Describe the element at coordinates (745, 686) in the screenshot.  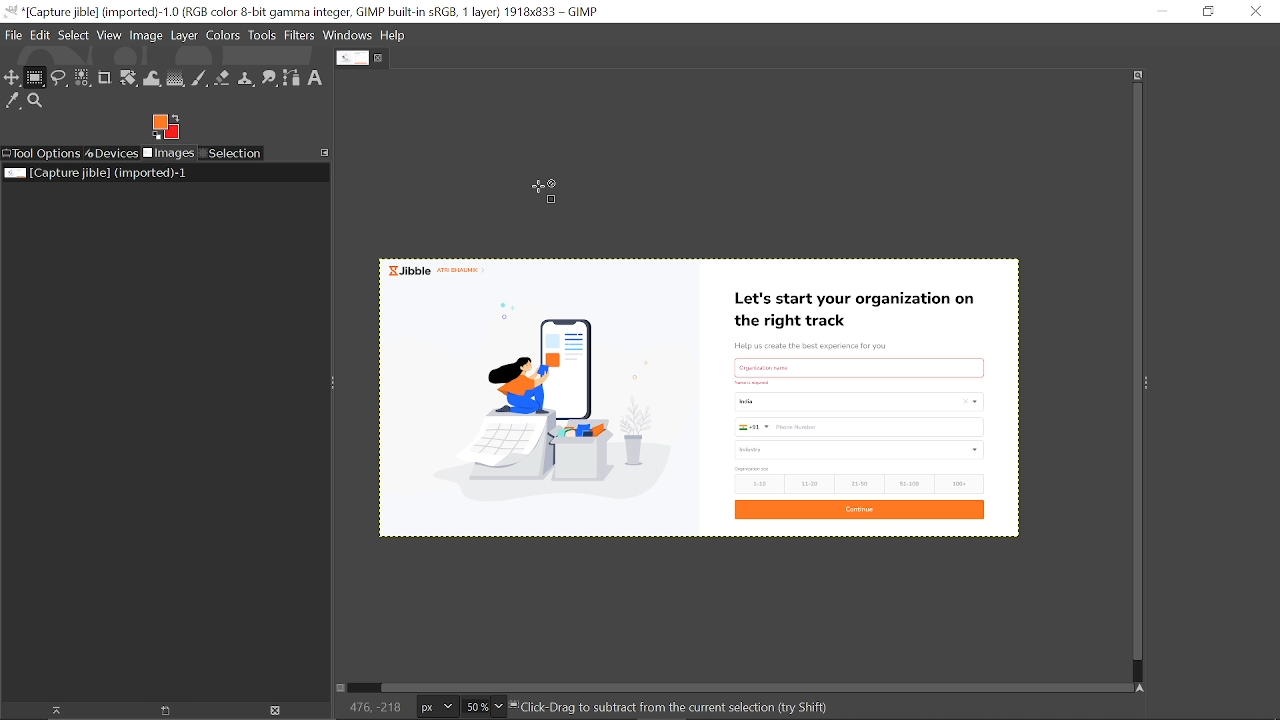
I see `Horizontal scrollbar` at that location.